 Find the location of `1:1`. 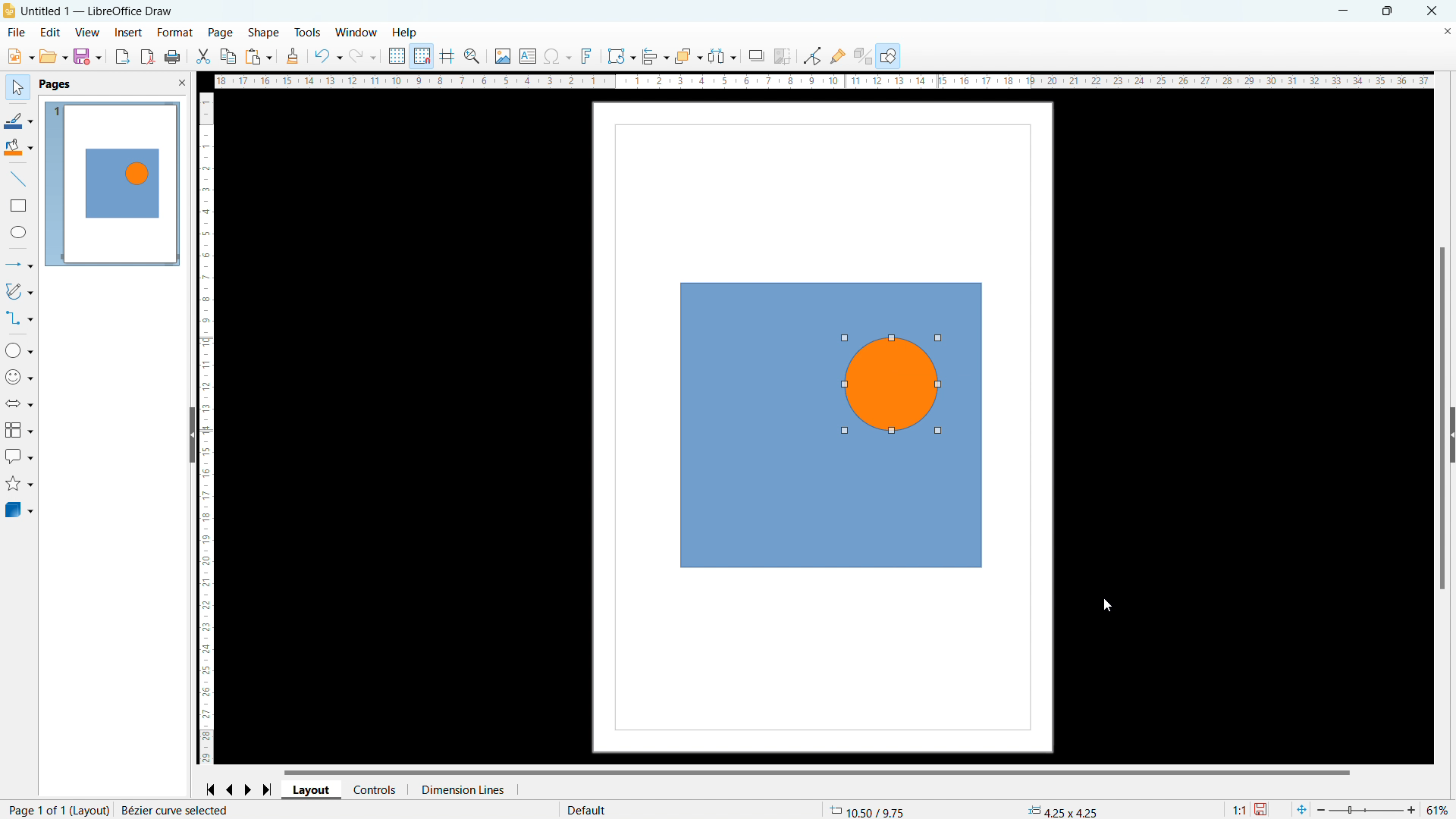

1:1 is located at coordinates (1237, 808).